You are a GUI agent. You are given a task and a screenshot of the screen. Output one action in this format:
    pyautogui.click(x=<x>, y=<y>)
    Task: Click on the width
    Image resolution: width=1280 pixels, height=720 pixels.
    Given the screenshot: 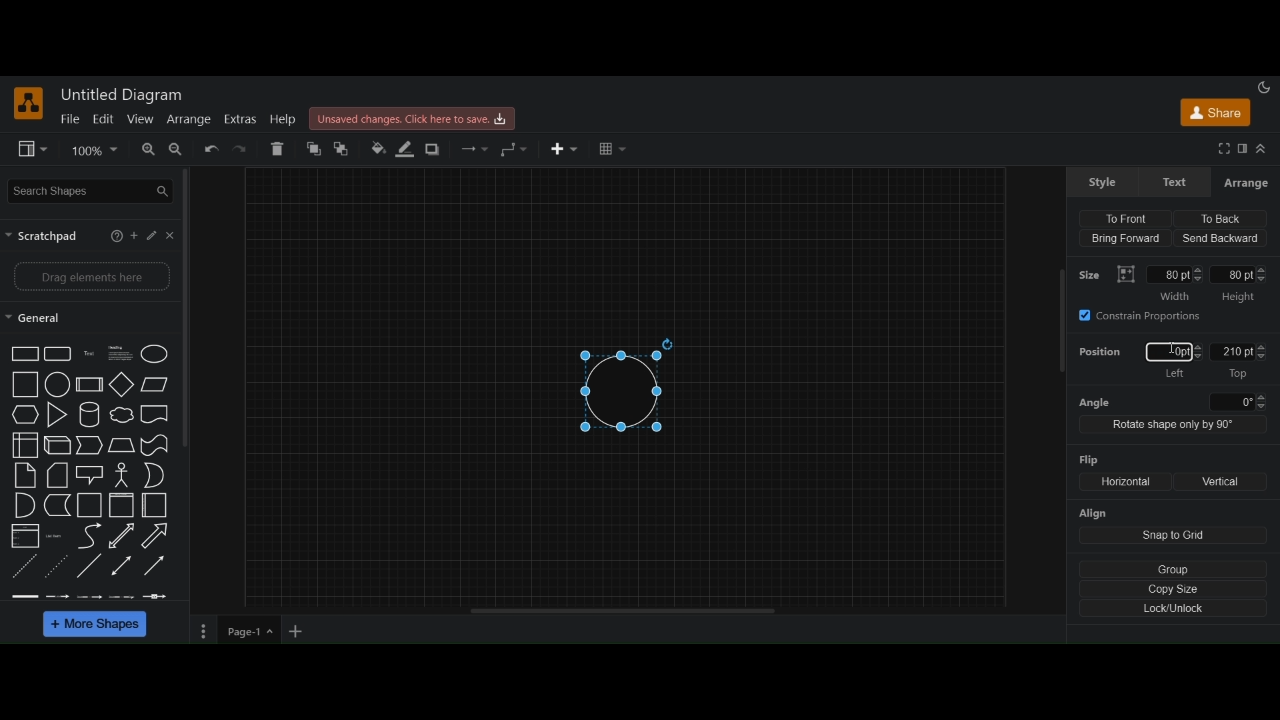 What is the action you would take?
    pyautogui.click(x=1175, y=283)
    